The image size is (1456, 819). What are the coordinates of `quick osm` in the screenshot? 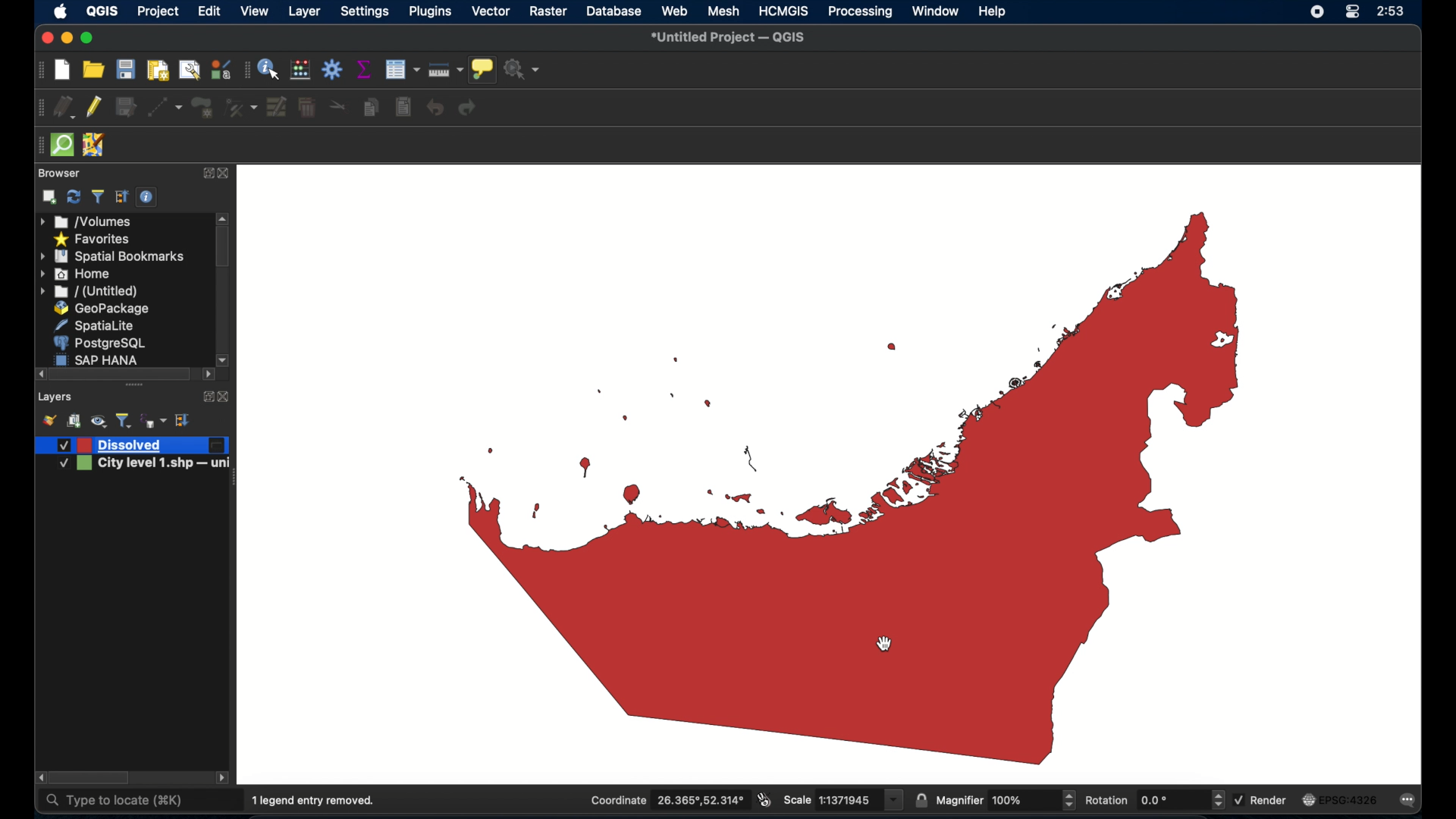 It's located at (61, 145).